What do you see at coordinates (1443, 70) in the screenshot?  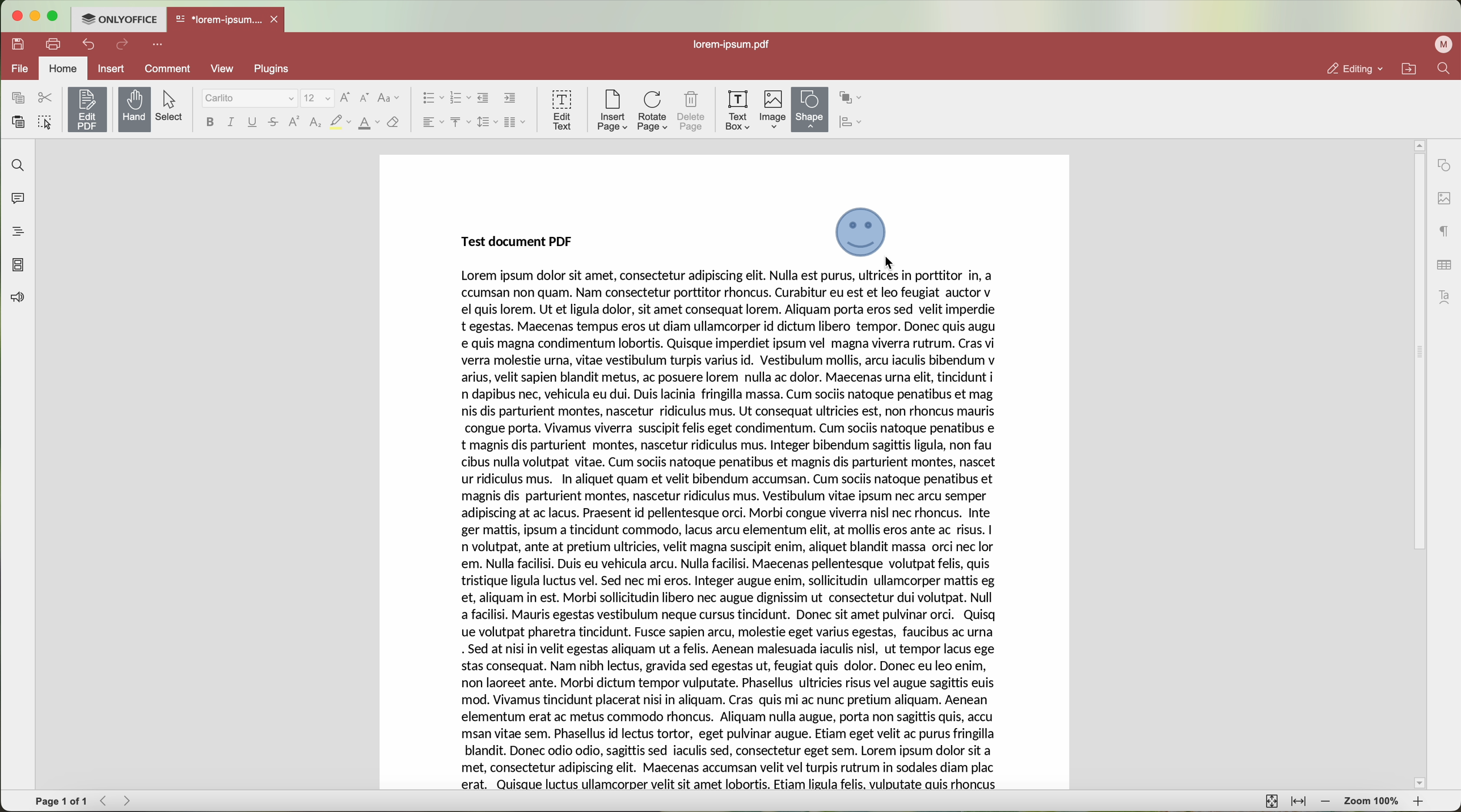 I see `find` at bounding box center [1443, 70].